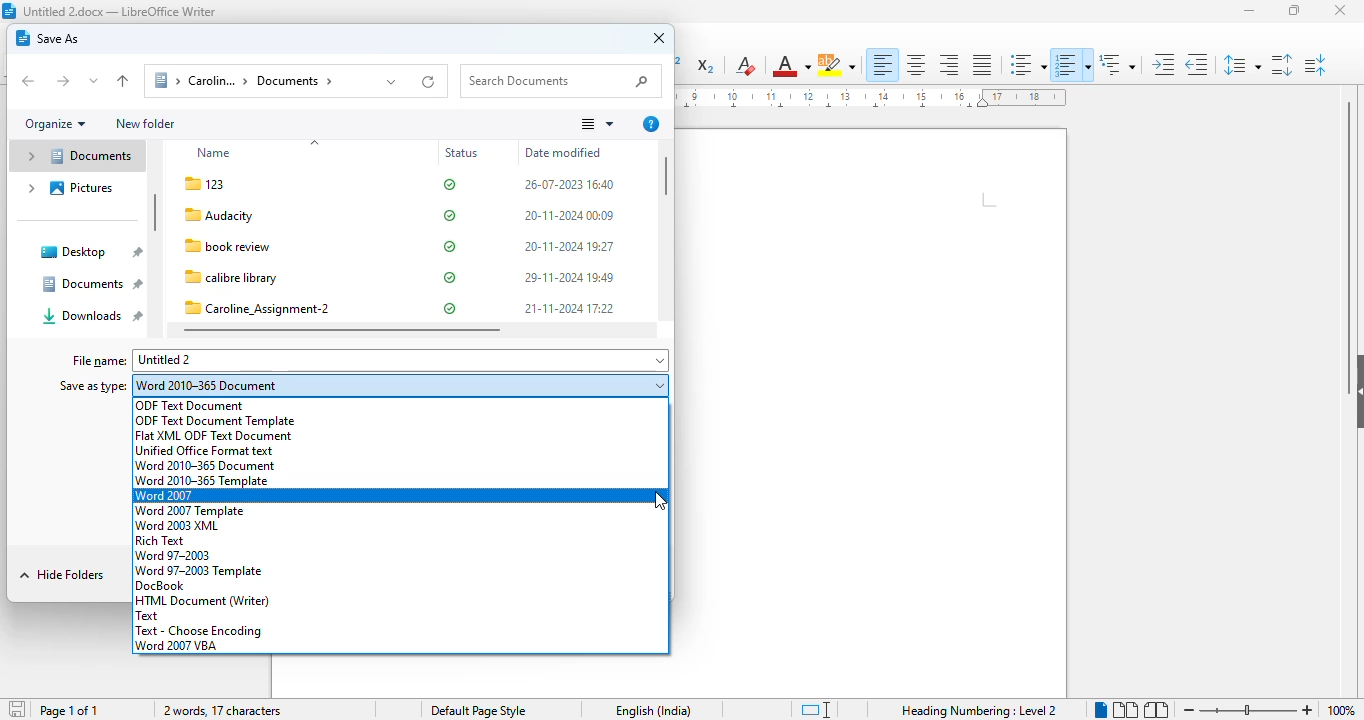  Describe the element at coordinates (90, 252) in the screenshot. I see `desktop` at that location.